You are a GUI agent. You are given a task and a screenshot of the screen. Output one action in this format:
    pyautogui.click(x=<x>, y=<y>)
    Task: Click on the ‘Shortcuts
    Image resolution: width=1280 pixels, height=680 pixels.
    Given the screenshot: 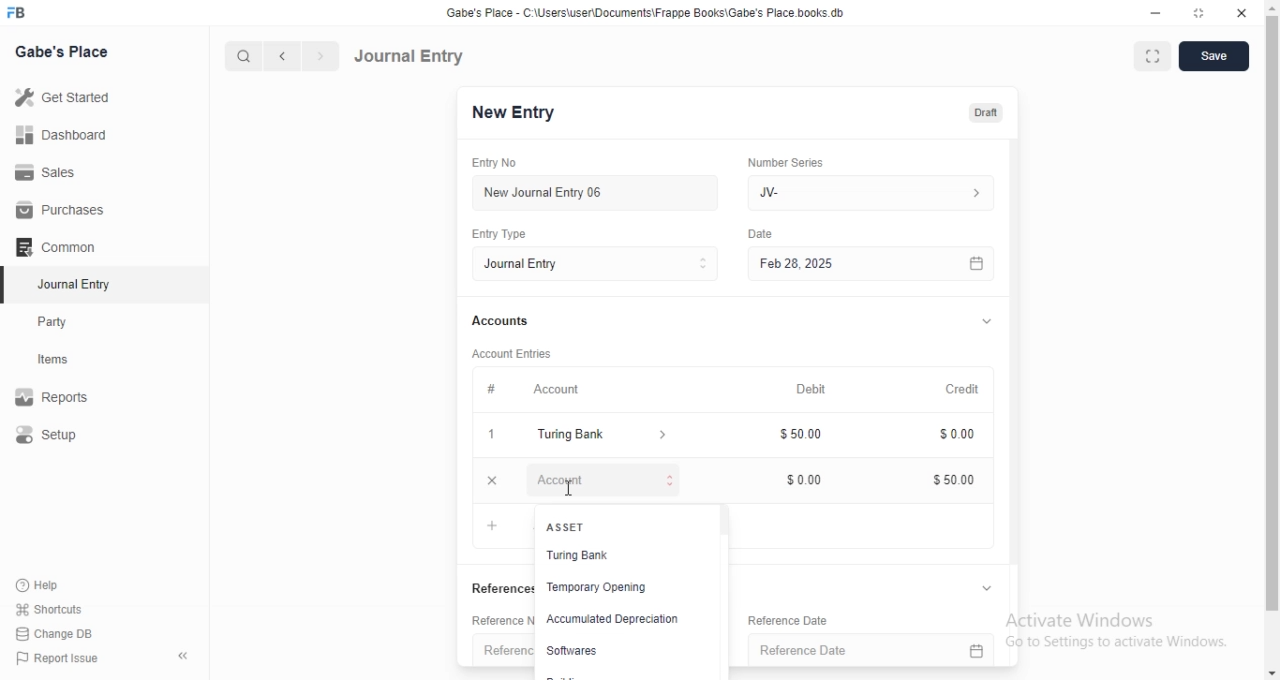 What is the action you would take?
    pyautogui.click(x=62, y=609)
    